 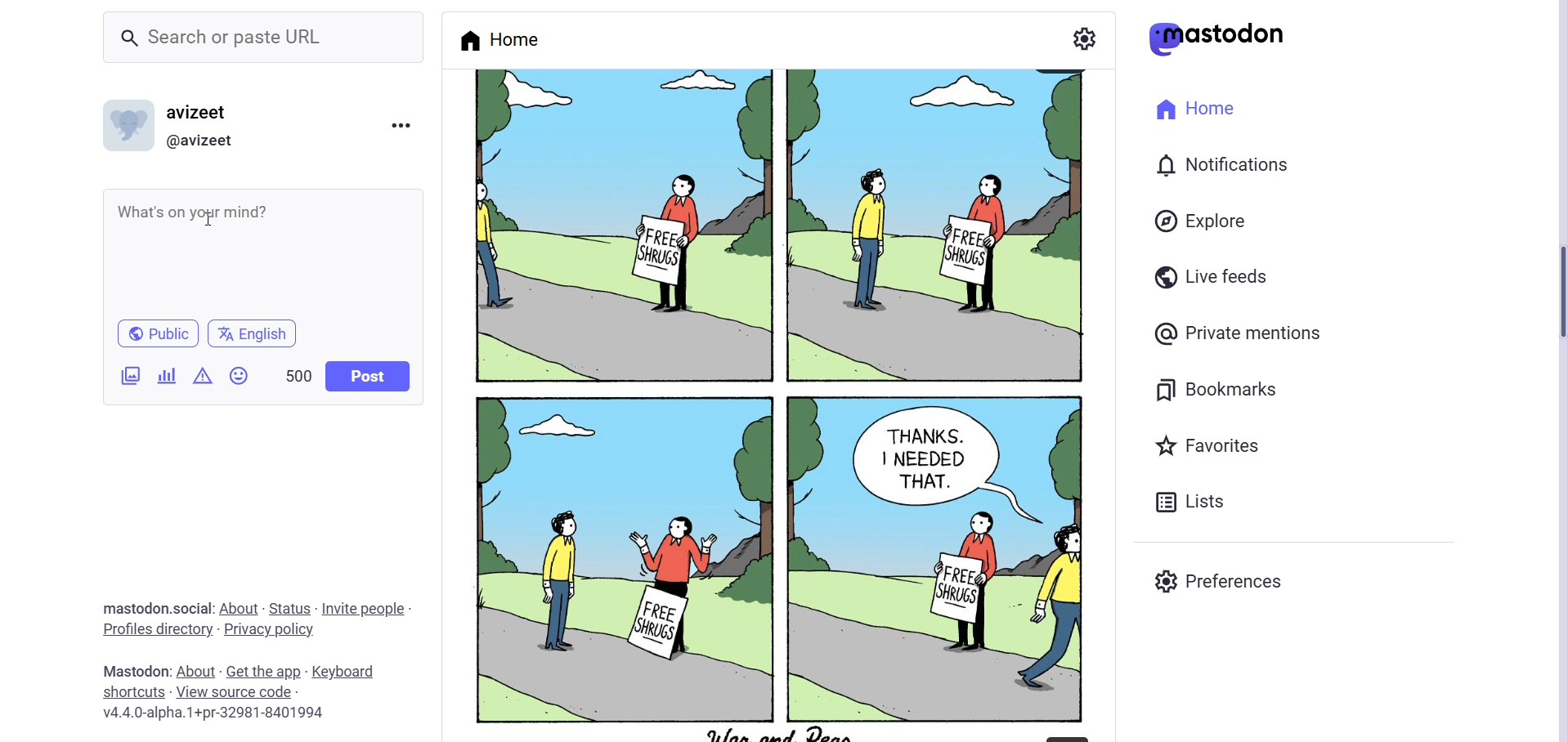 I want to click on Notifications, so click(x=1225, y=165).